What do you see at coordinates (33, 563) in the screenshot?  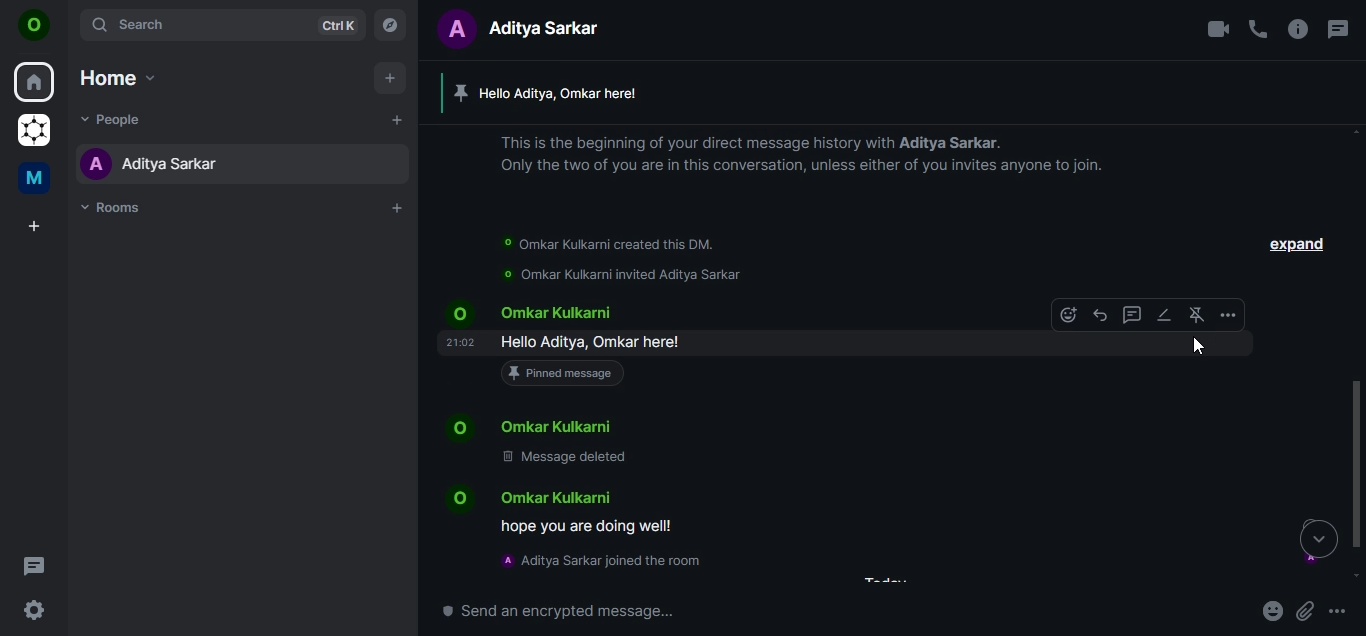 I see `threads` at bounding box center [33, 563].